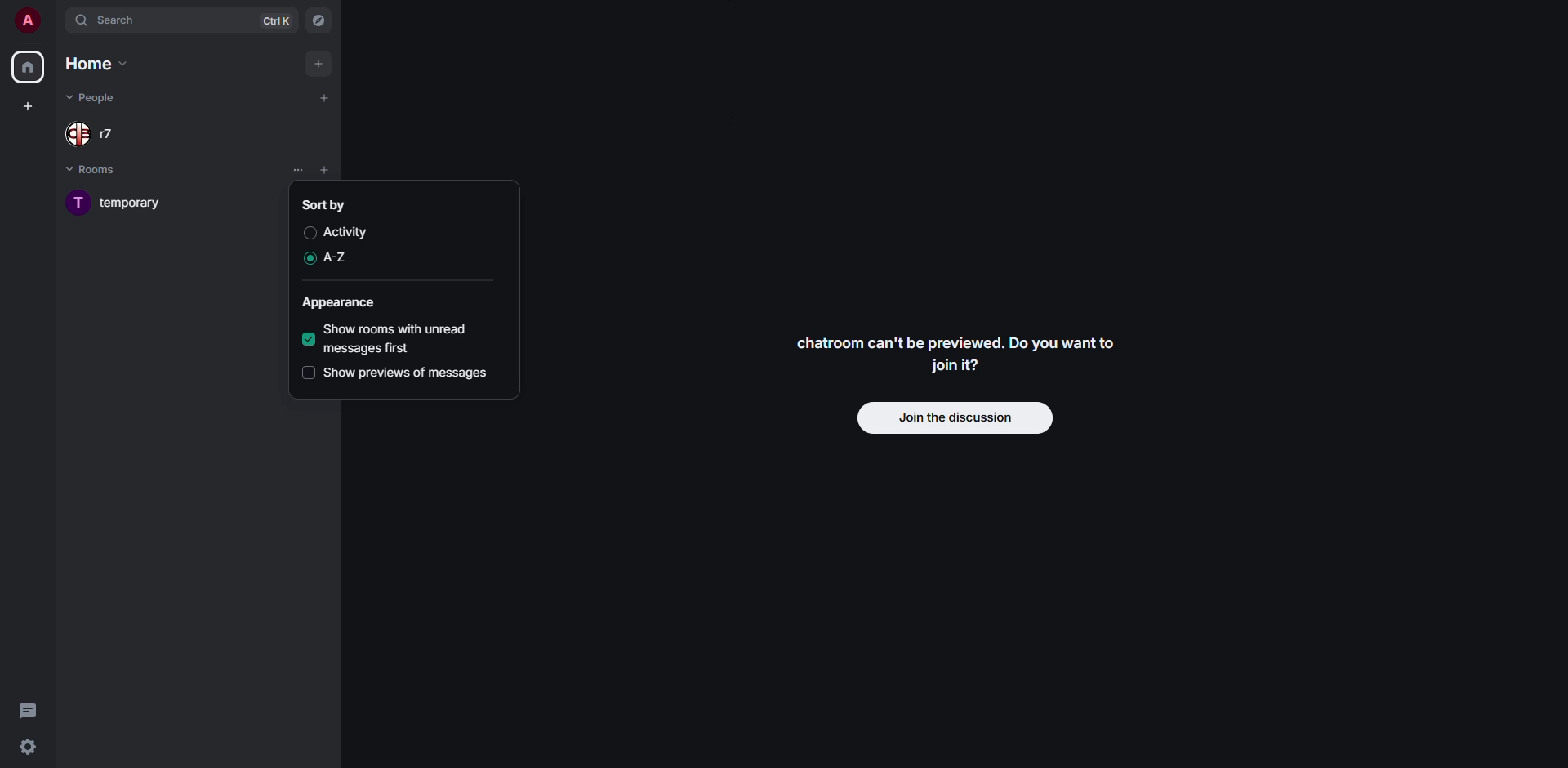 The image size is (1568, 768). I want to click on threads, so click(29, 710).